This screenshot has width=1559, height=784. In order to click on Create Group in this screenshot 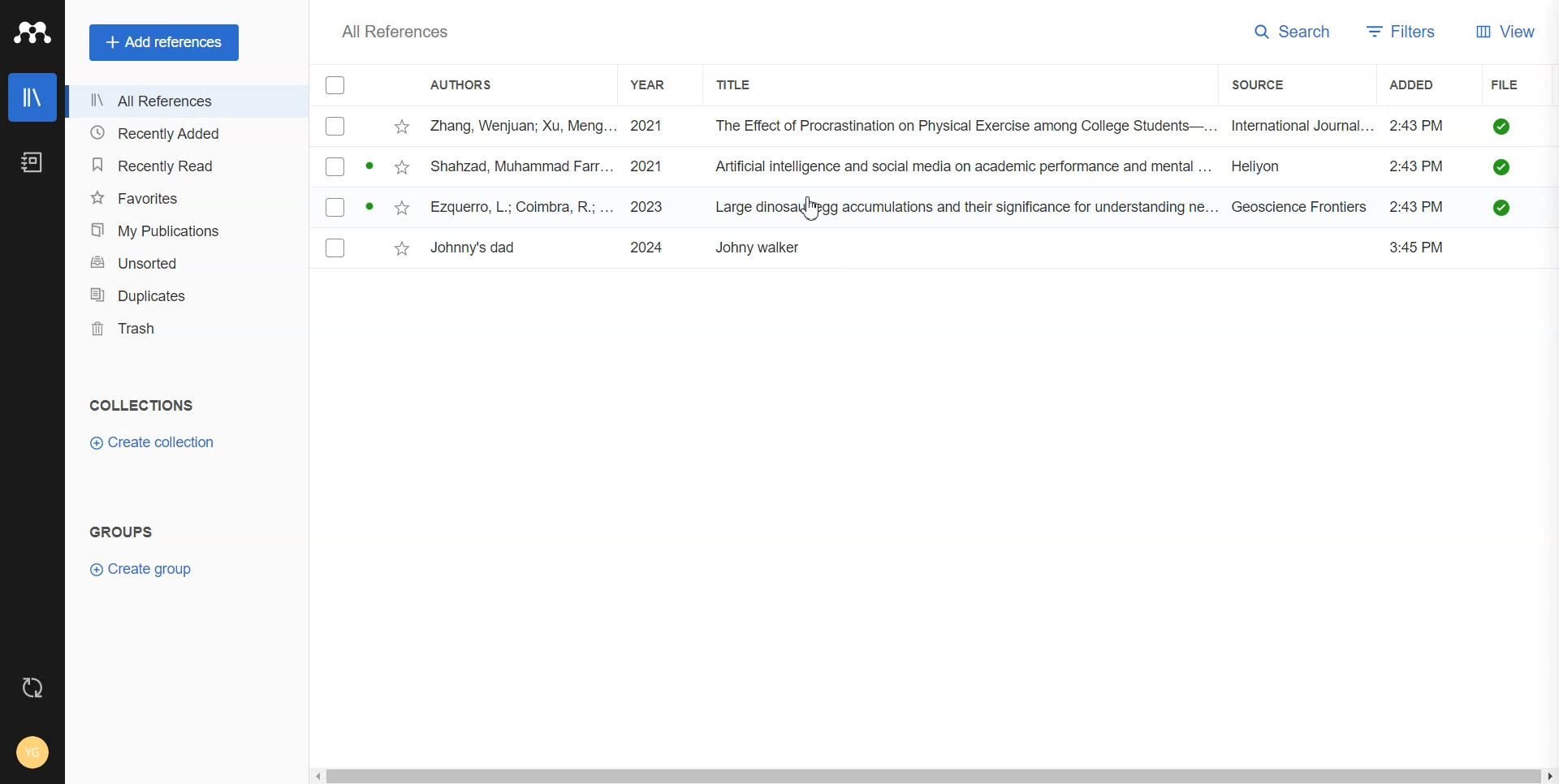, I will do `click(149, 568)`.